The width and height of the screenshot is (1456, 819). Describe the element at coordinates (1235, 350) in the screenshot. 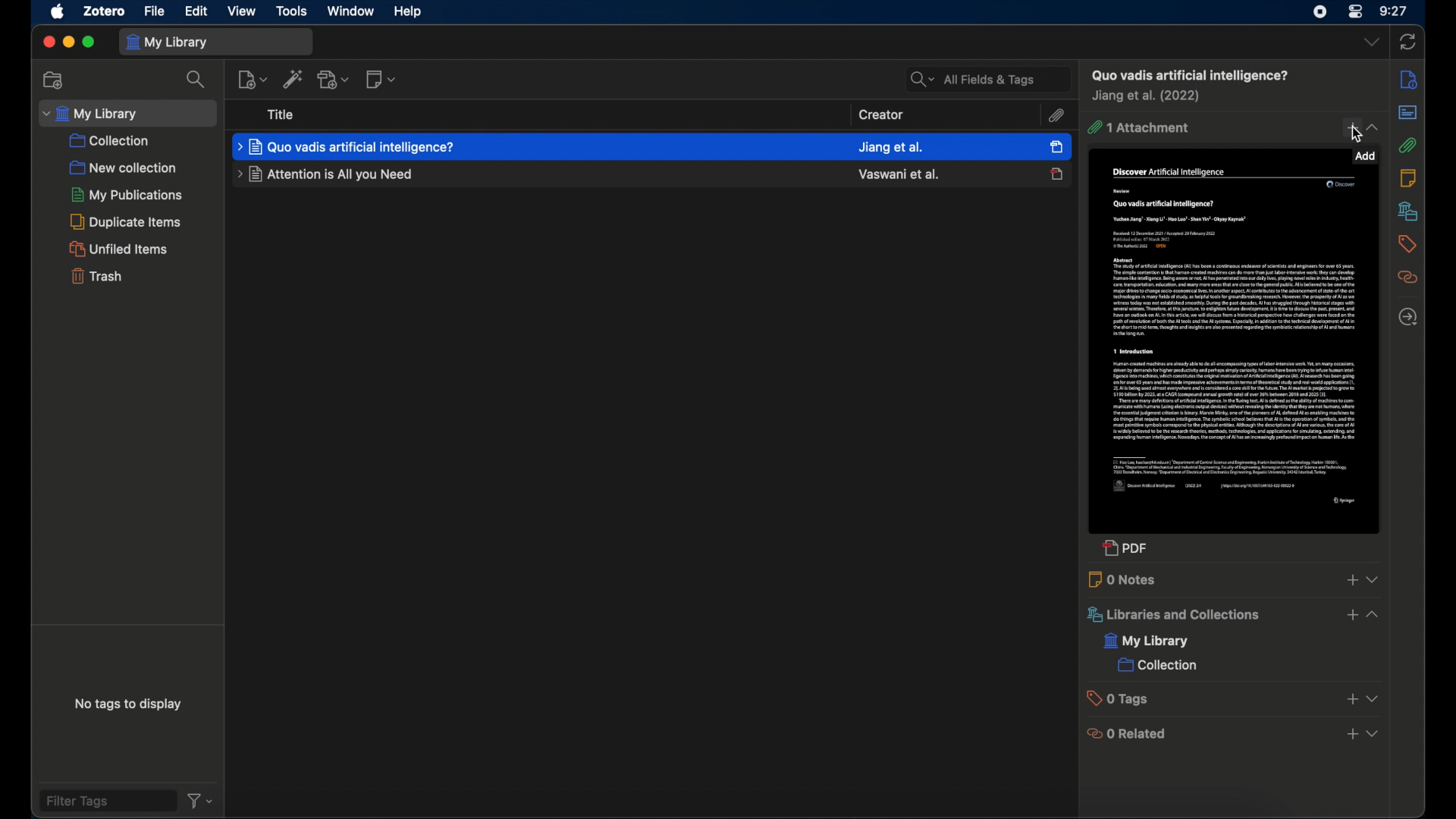

I see `journal item preview` at that location.